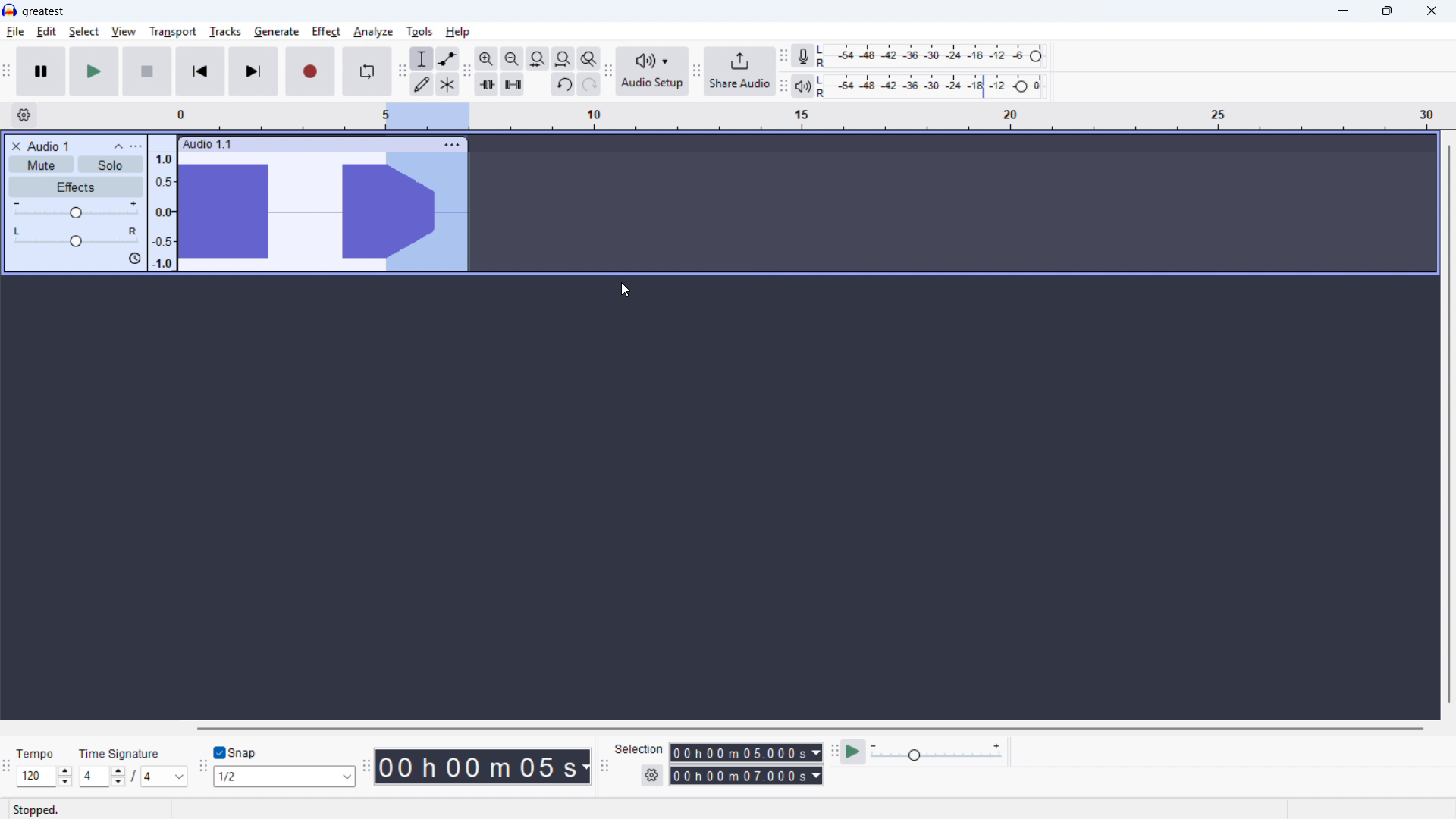 The image size is (1456, 819). I want to click on Recording metre , so click(802, 56).